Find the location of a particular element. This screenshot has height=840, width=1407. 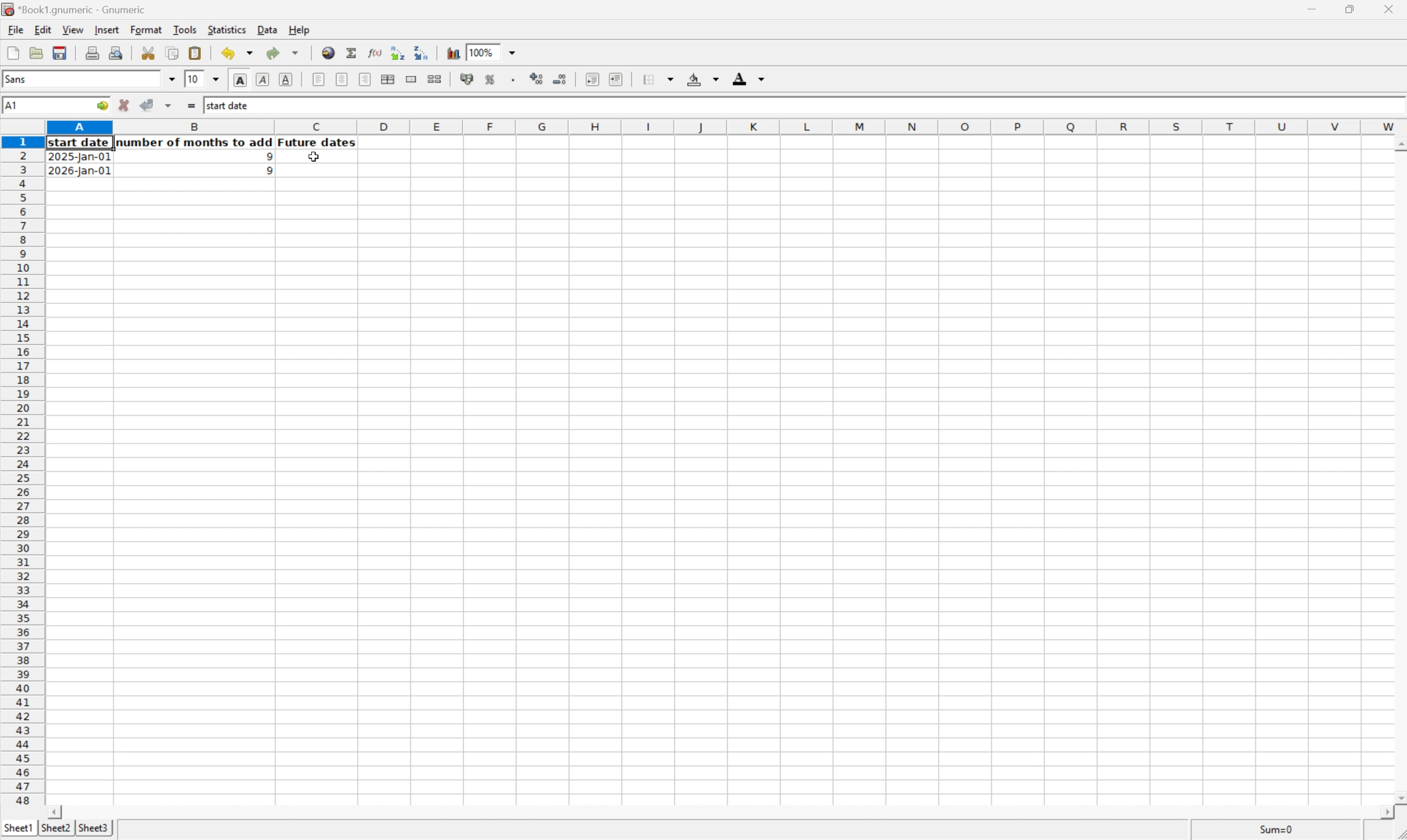

Copy selection is located at coordinates (173, 53).